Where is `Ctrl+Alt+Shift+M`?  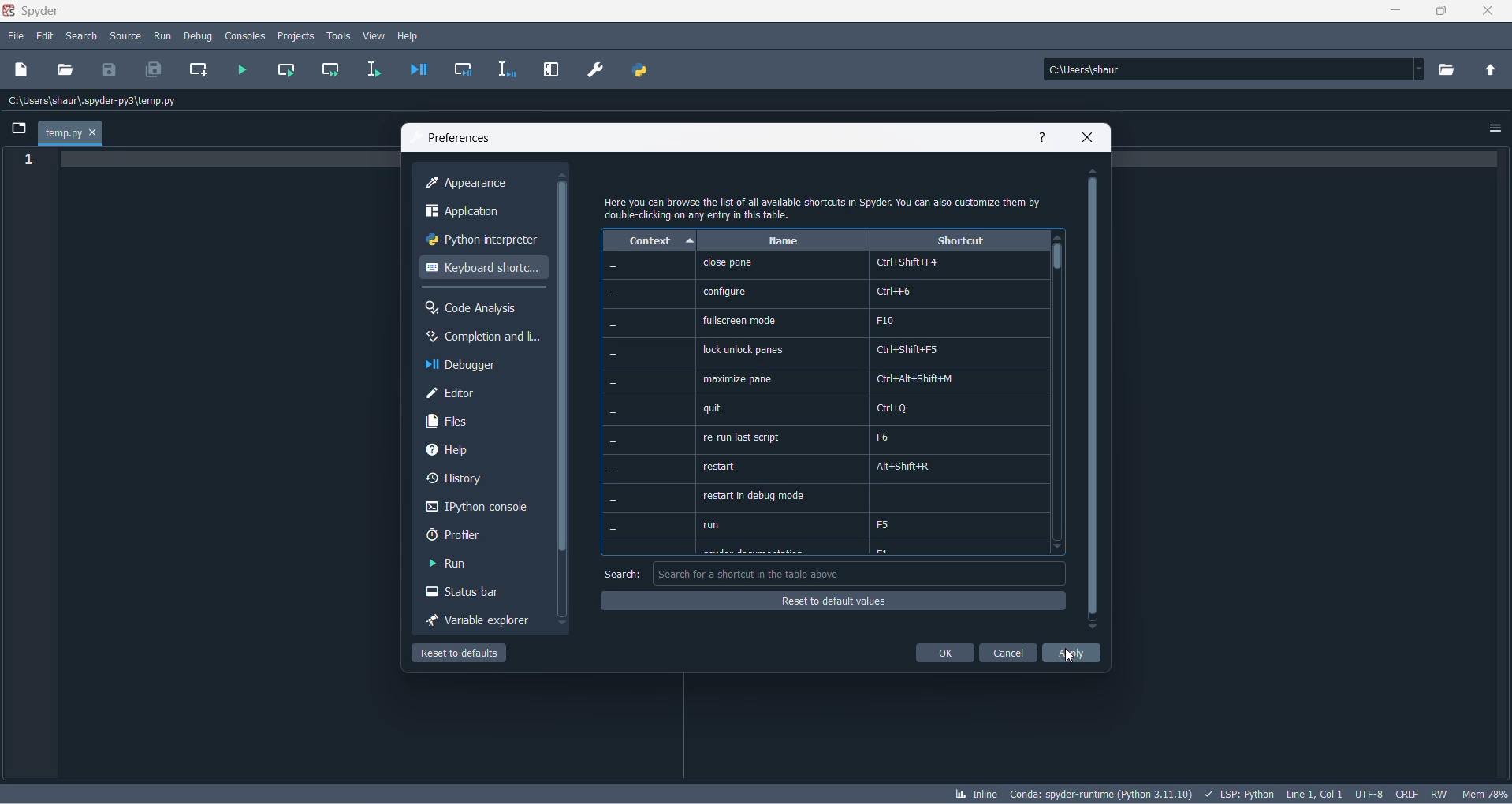
Ctrl+Alt+Shift+M is located at coordinates (915, 379).